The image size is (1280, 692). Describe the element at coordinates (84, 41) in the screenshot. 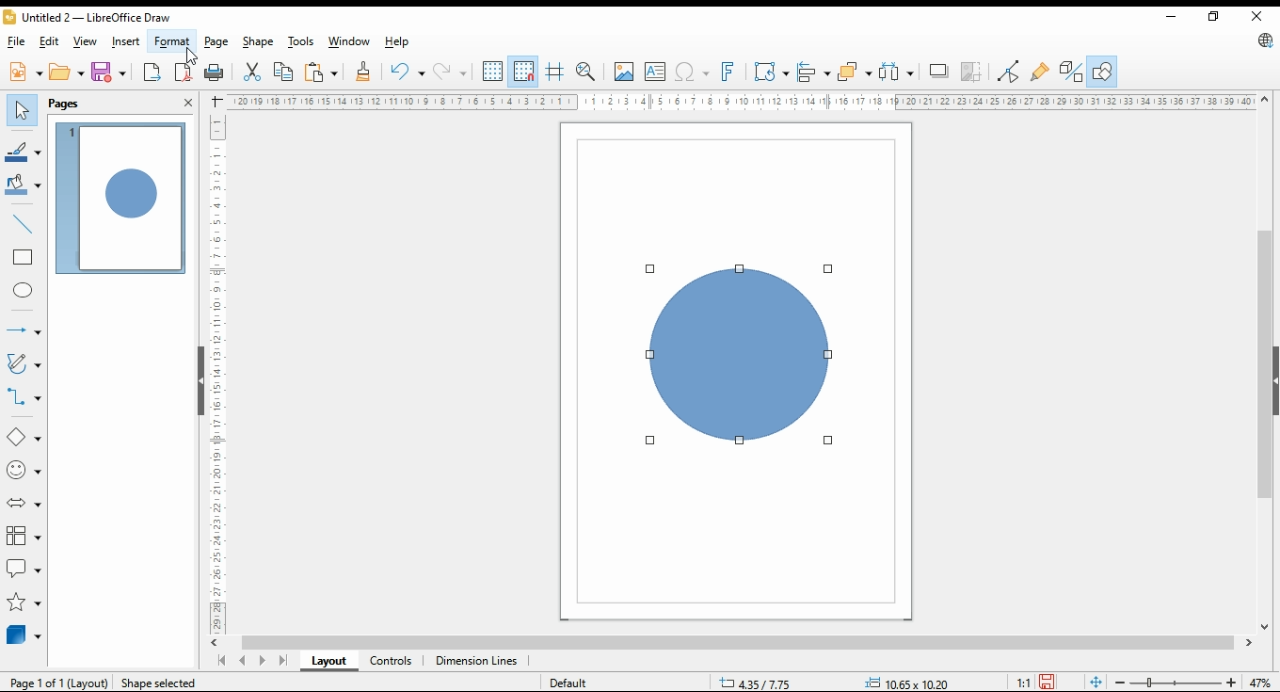

I see `view` at that location.